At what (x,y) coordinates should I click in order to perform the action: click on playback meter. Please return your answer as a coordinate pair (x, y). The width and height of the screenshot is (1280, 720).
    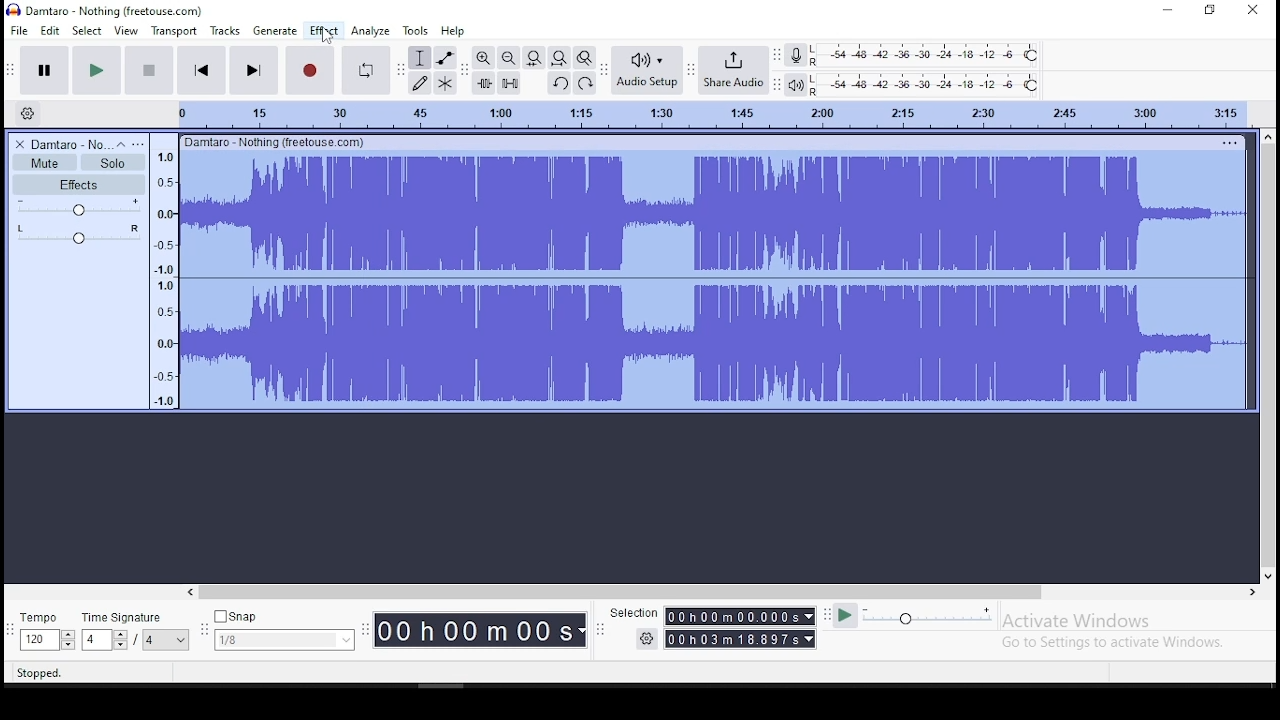
    Looking at the image, I should click on (796, 85).